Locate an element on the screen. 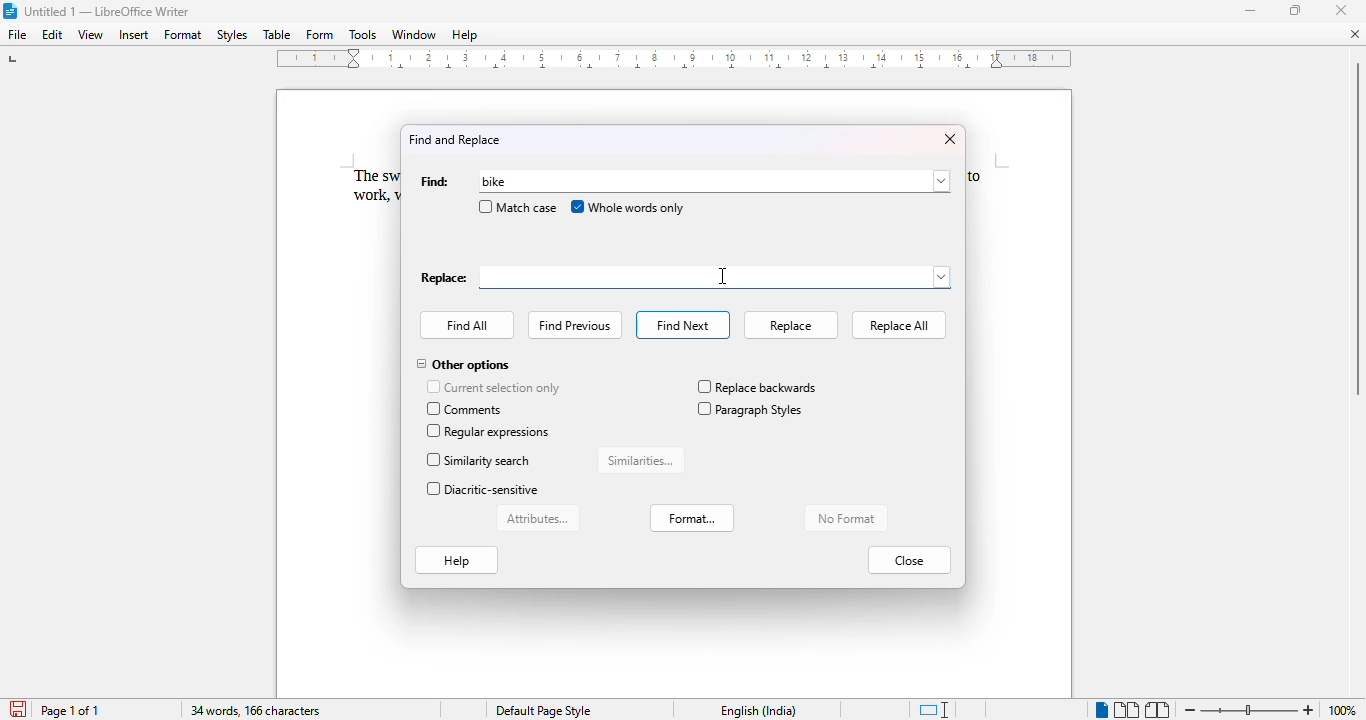  similarities is located at coordinates (641, 460).